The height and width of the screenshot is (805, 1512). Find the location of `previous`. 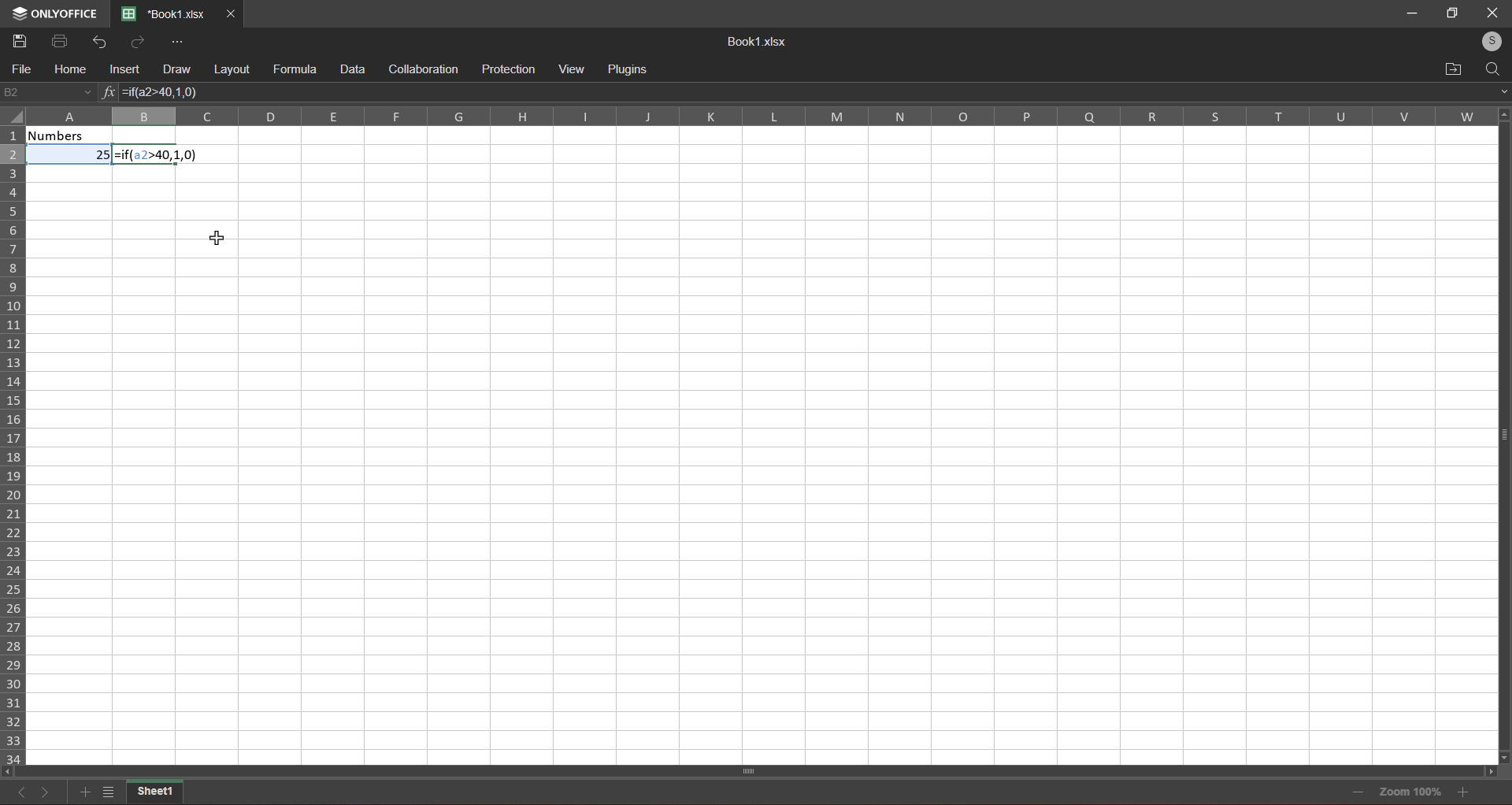

previous is located at coordinates (23, 796).